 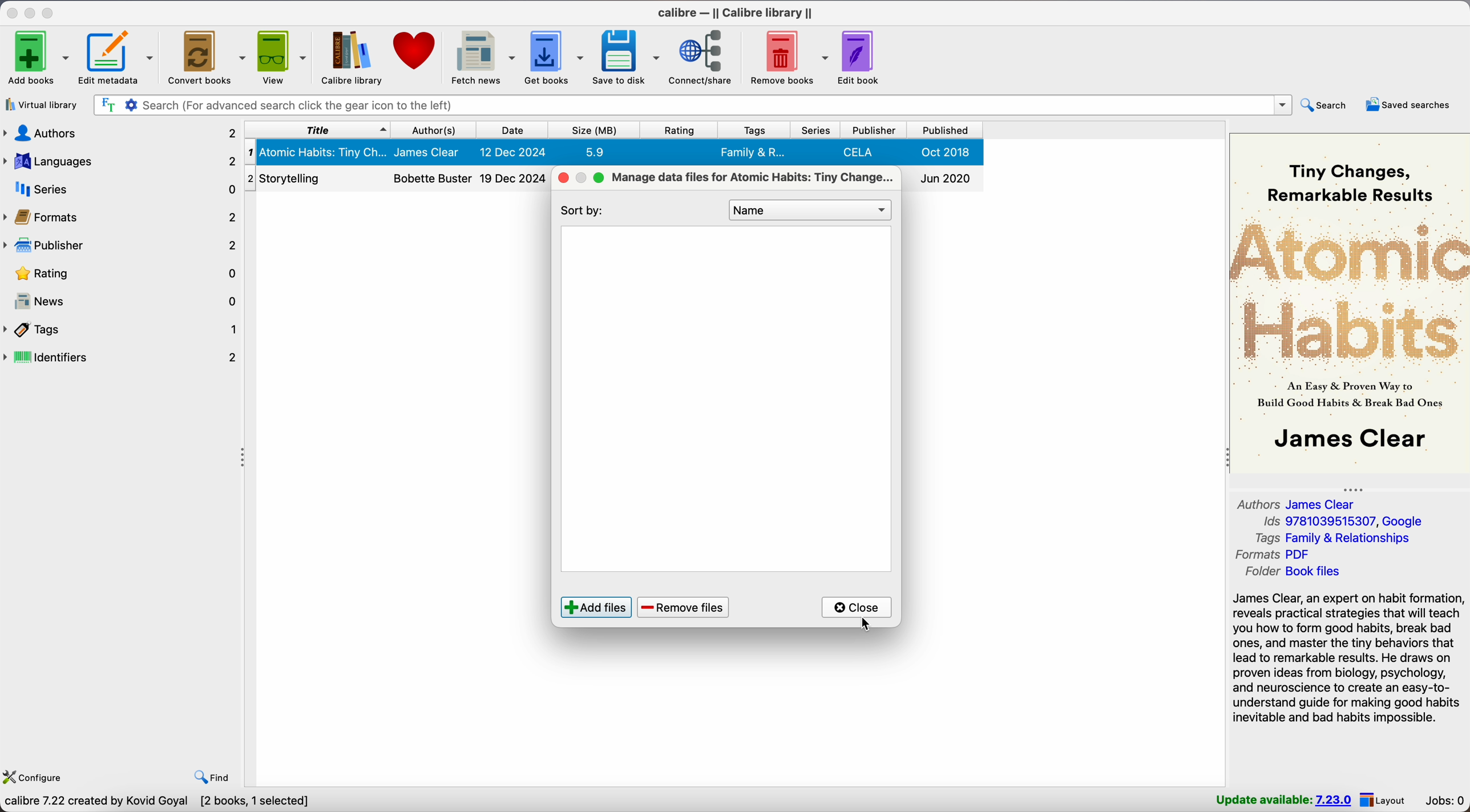 What do you see at coordinates (205, 58) in the screenshot?
I see `convert books` at bounding box center [205, 58].